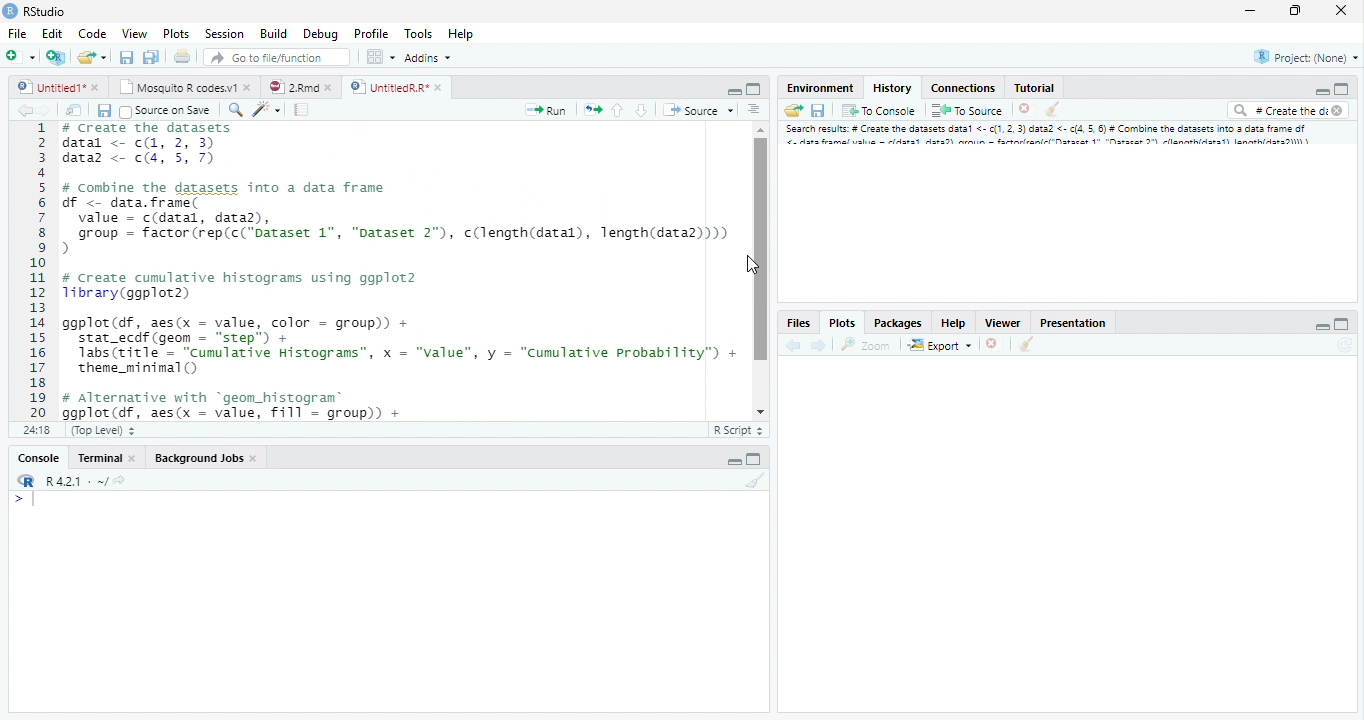 The width and height of the screenshot is (1364, 720). Describe the element at coordinates (968, 110) in the screenshot. I see `To Source` at that location.